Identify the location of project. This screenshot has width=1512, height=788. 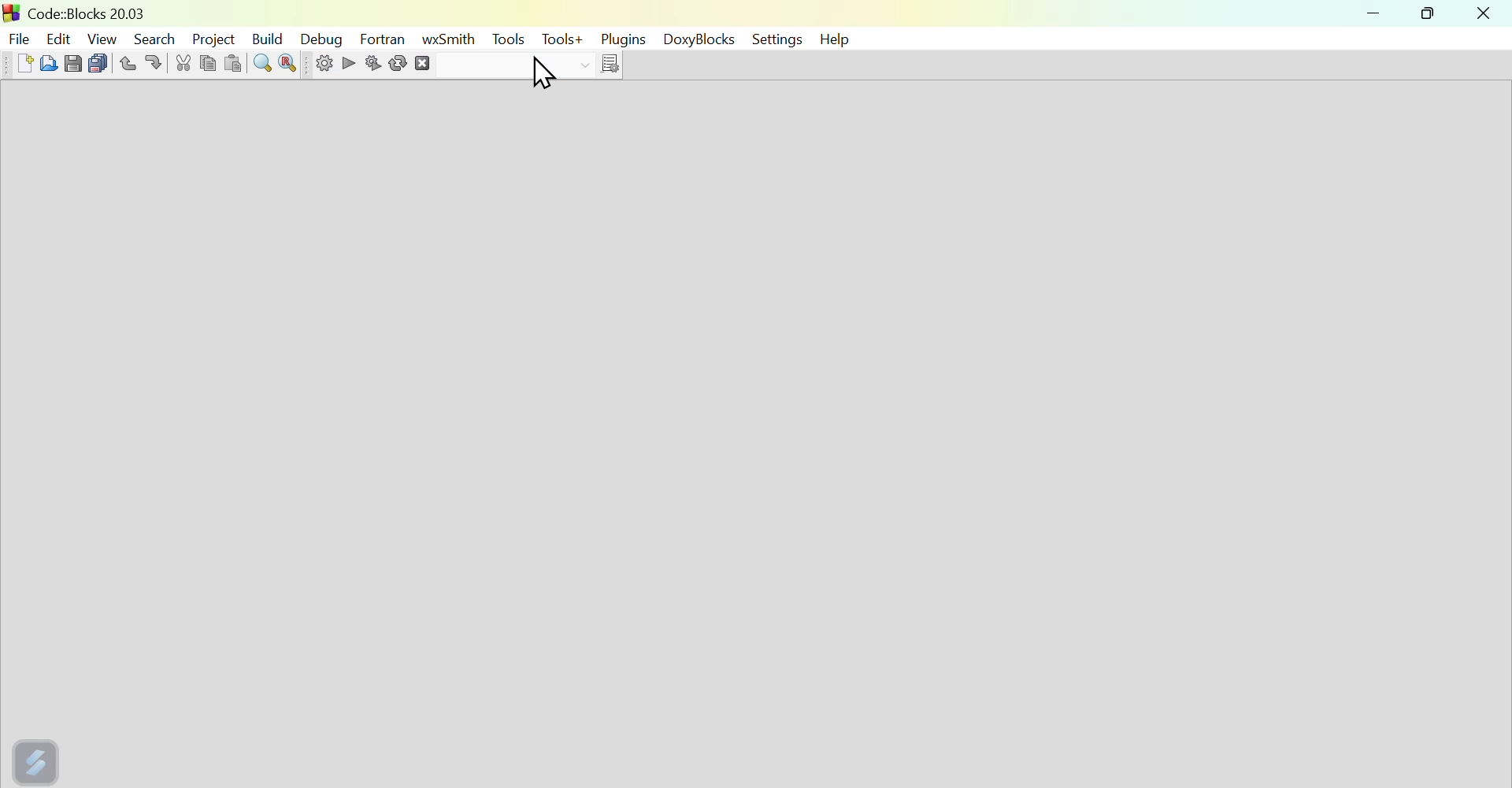
(213, 36).